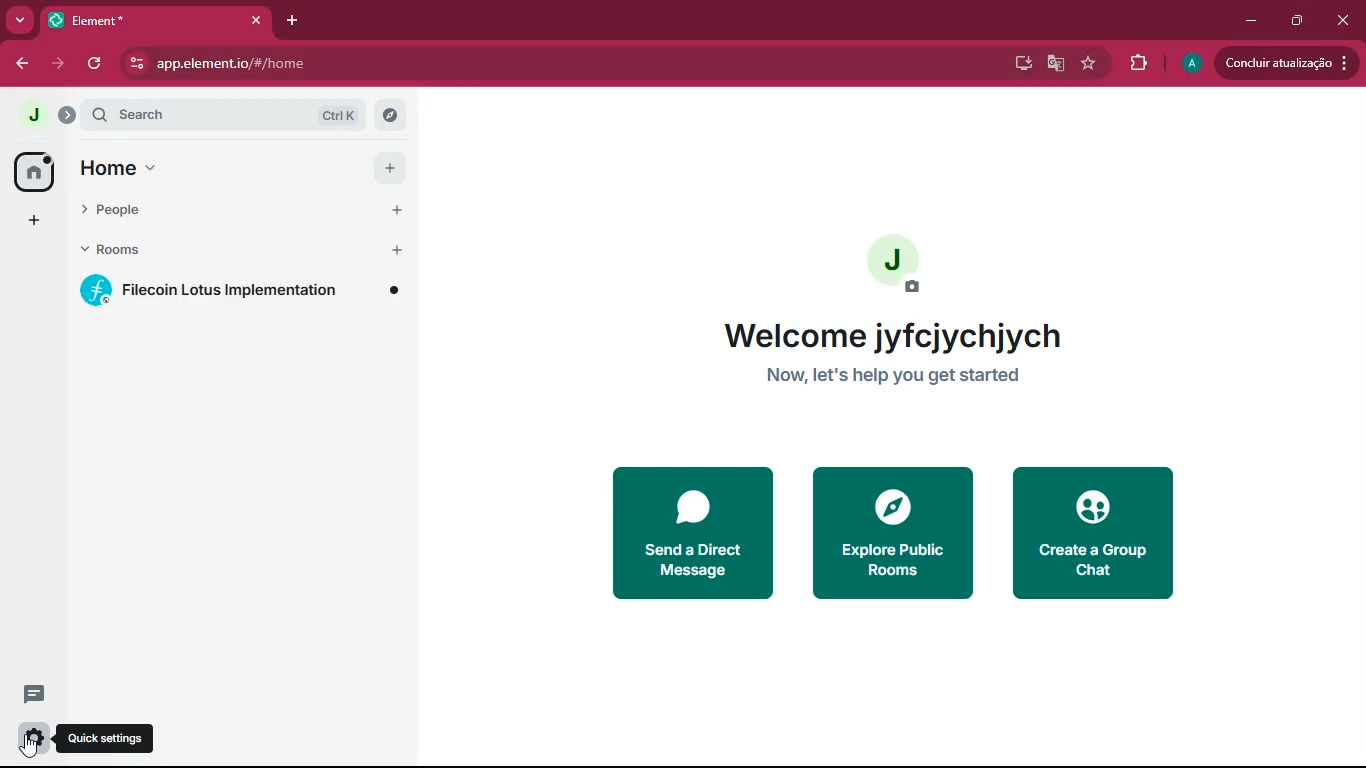  Describe the element at coordinates (398, 250) in the screenshot. I see `add room` at that location.